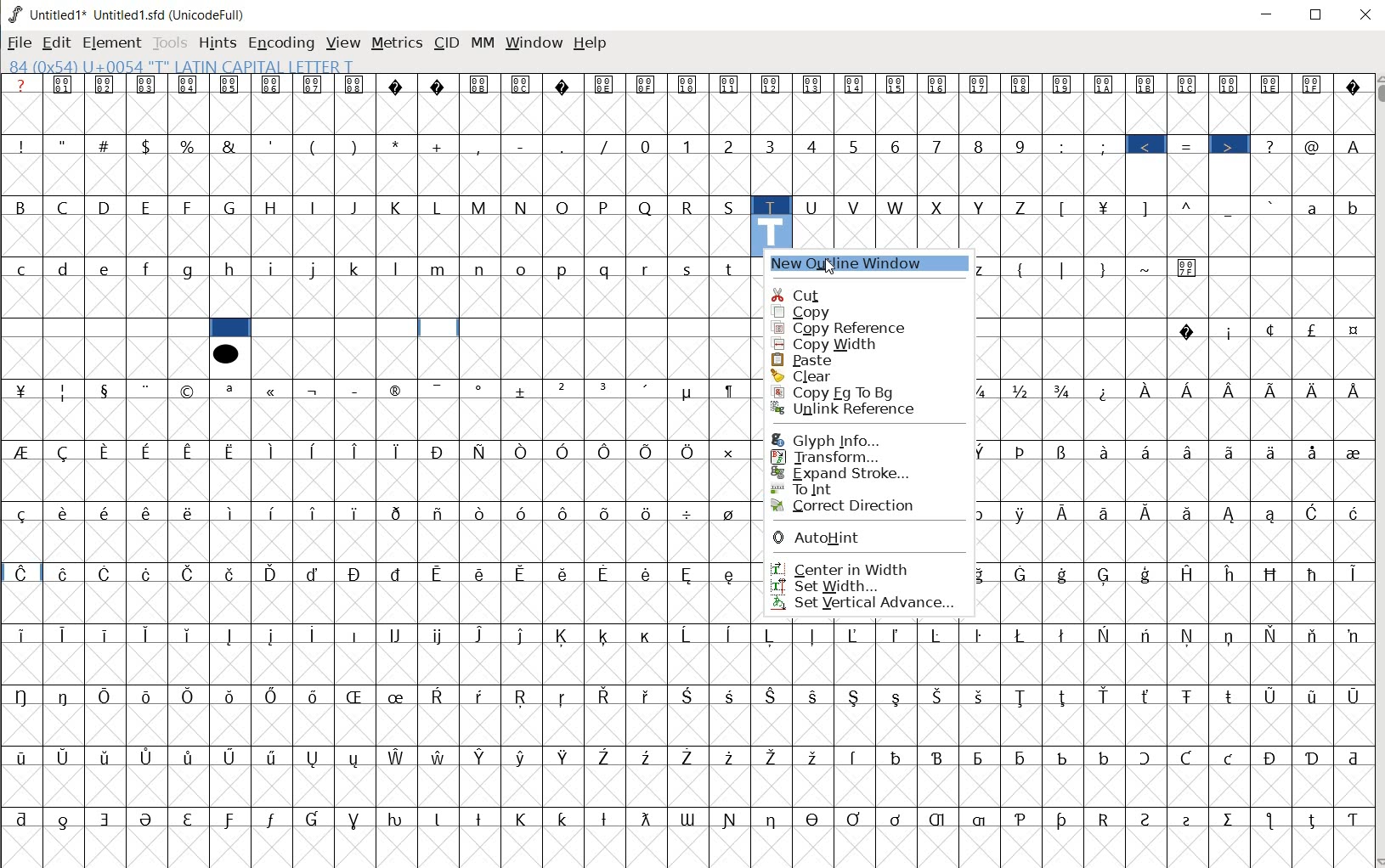  What do you see at coordinates (442, 572) in the screenshot?
I see `Symbol` at bounding box center [442, 572].